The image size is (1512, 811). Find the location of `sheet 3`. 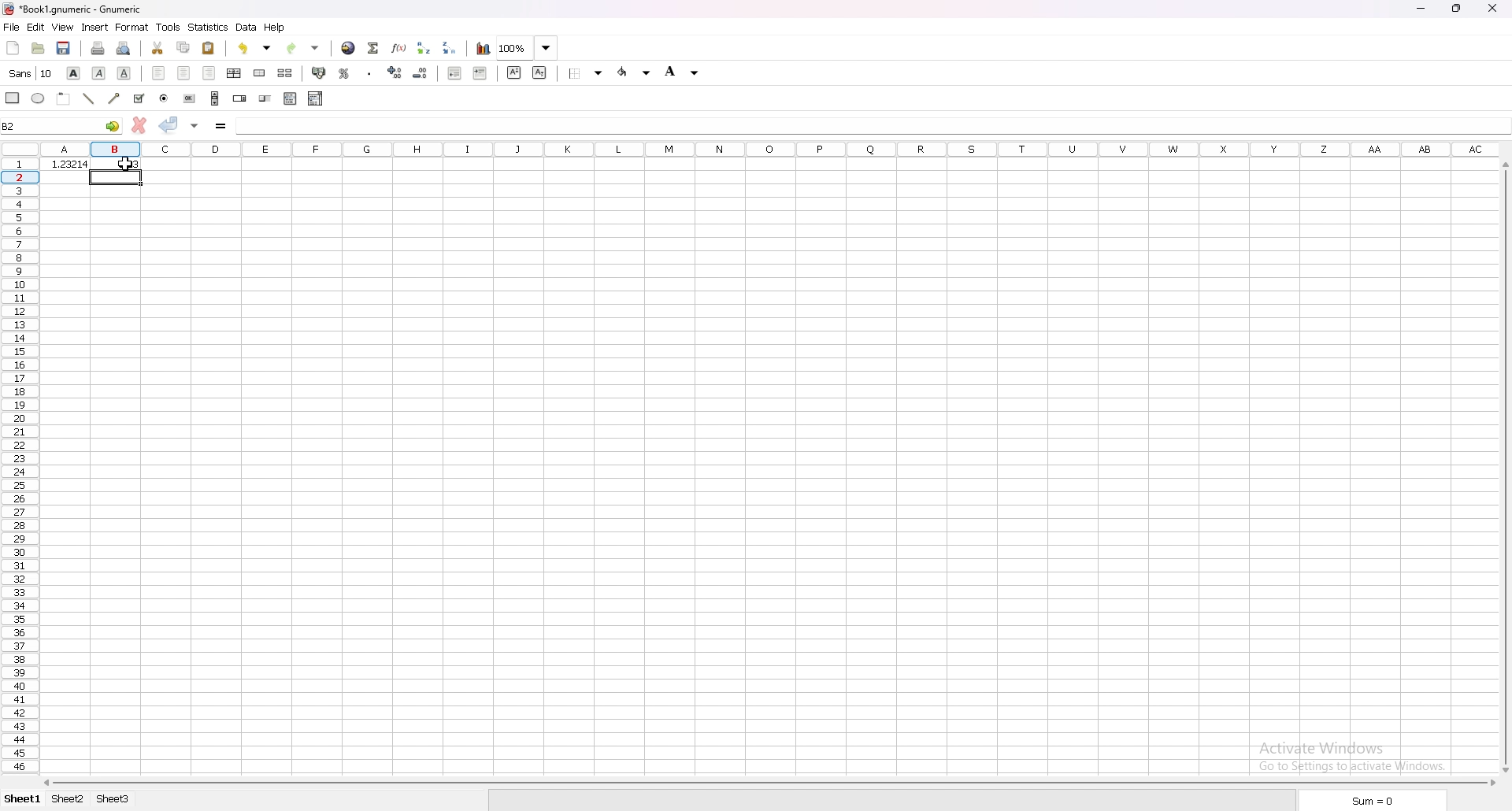

sheet 3 is located at coordinates (113, 799).